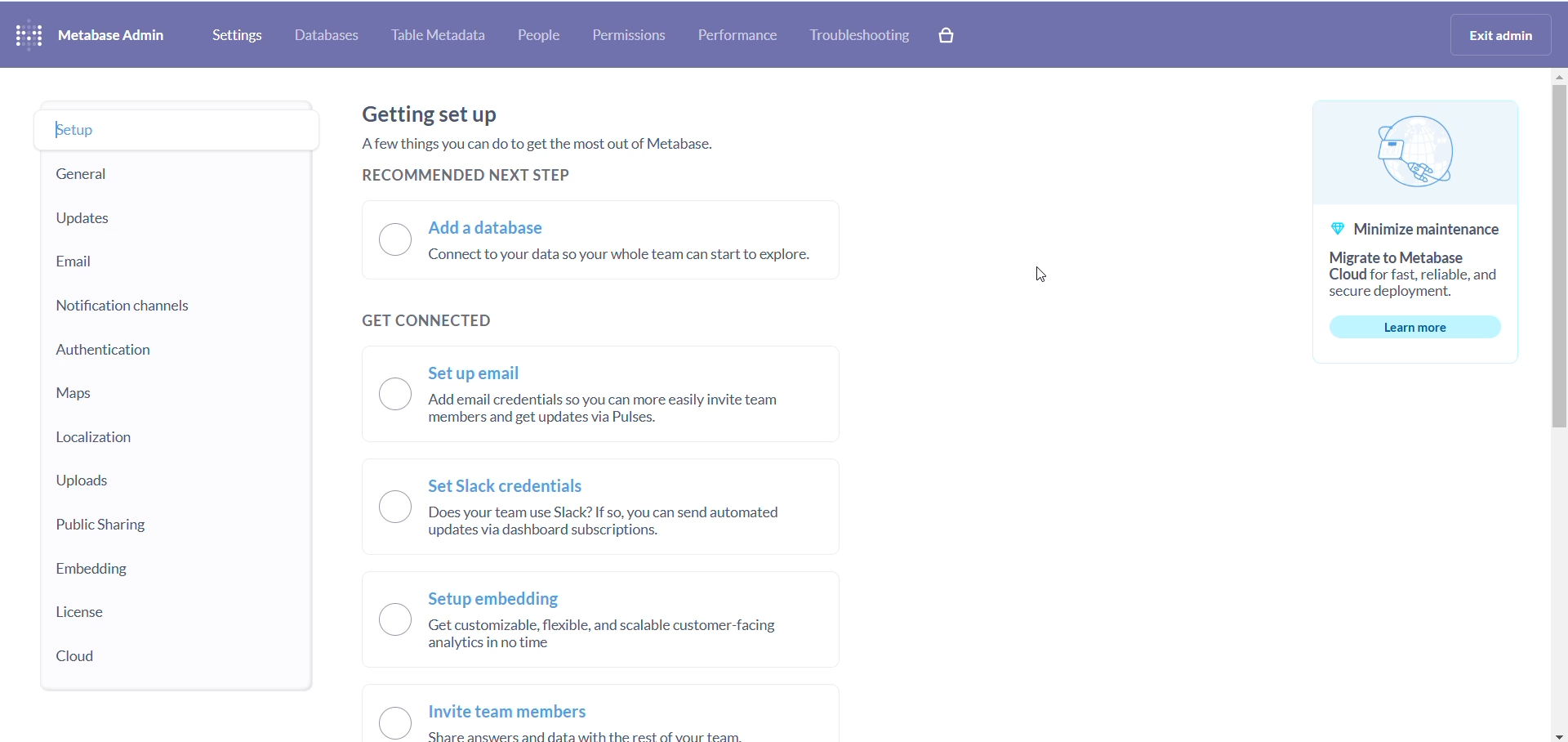 This screenshot has width=1568, height=742. Describe the element at coordinates (434, 35) in the screenshot. I see `table metadata` at that location.